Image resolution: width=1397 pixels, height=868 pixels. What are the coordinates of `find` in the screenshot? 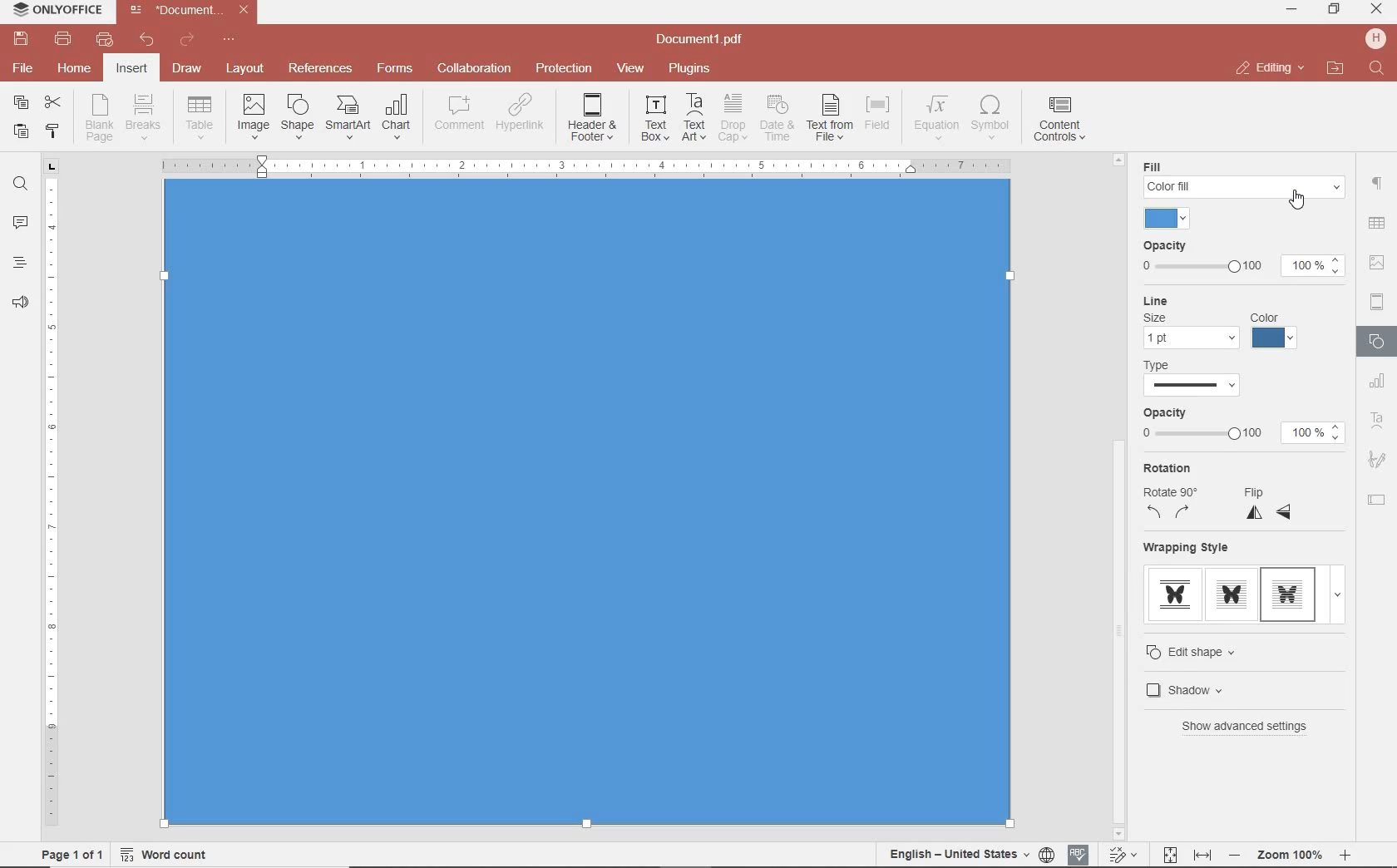 It's located at (1379, 69).